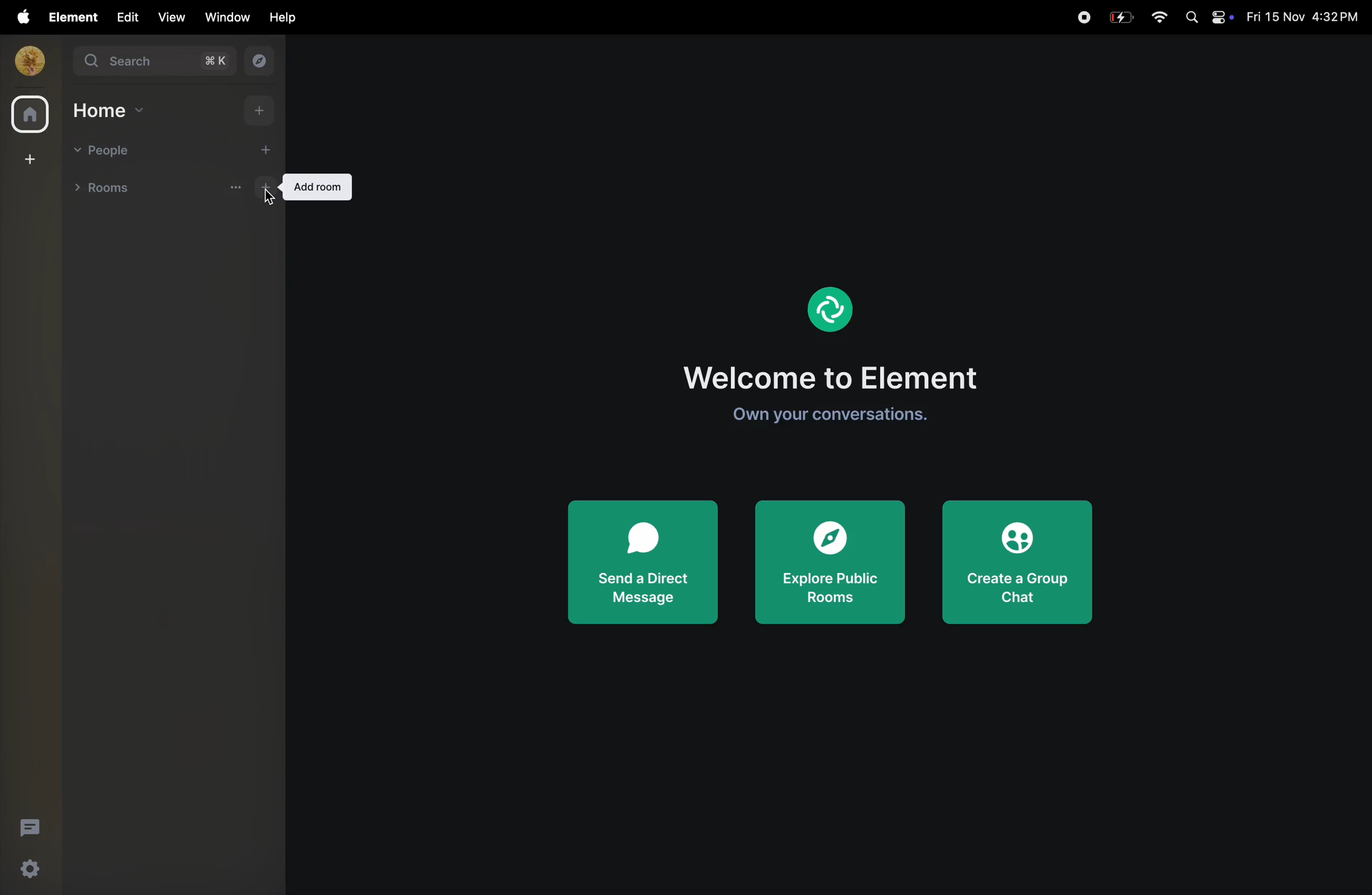 The width and height of the screenshot is (1372, 895). I want to click on home, so click(109, 111).